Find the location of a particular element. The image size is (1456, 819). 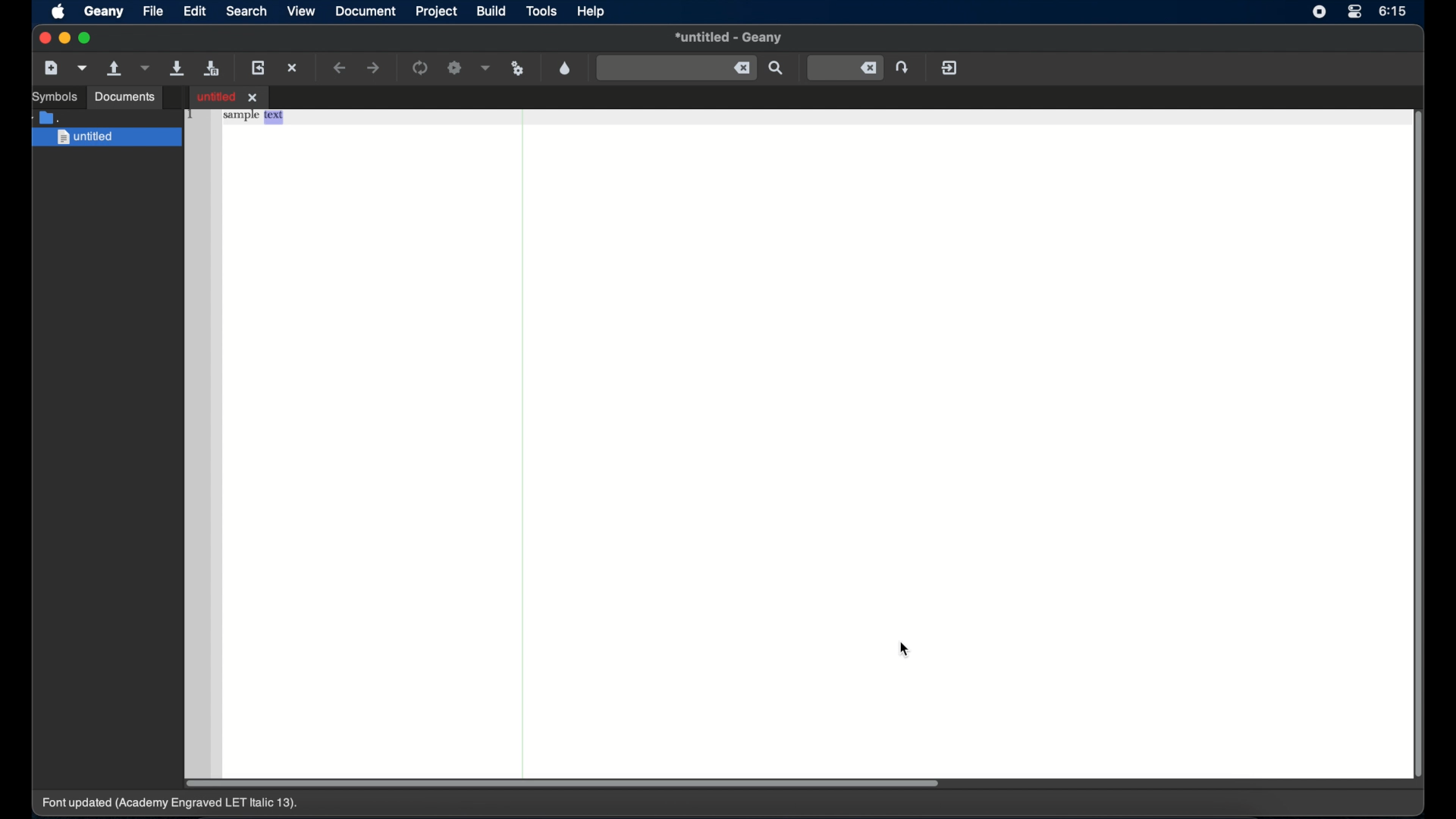

view is located at coordinates (300, 12).